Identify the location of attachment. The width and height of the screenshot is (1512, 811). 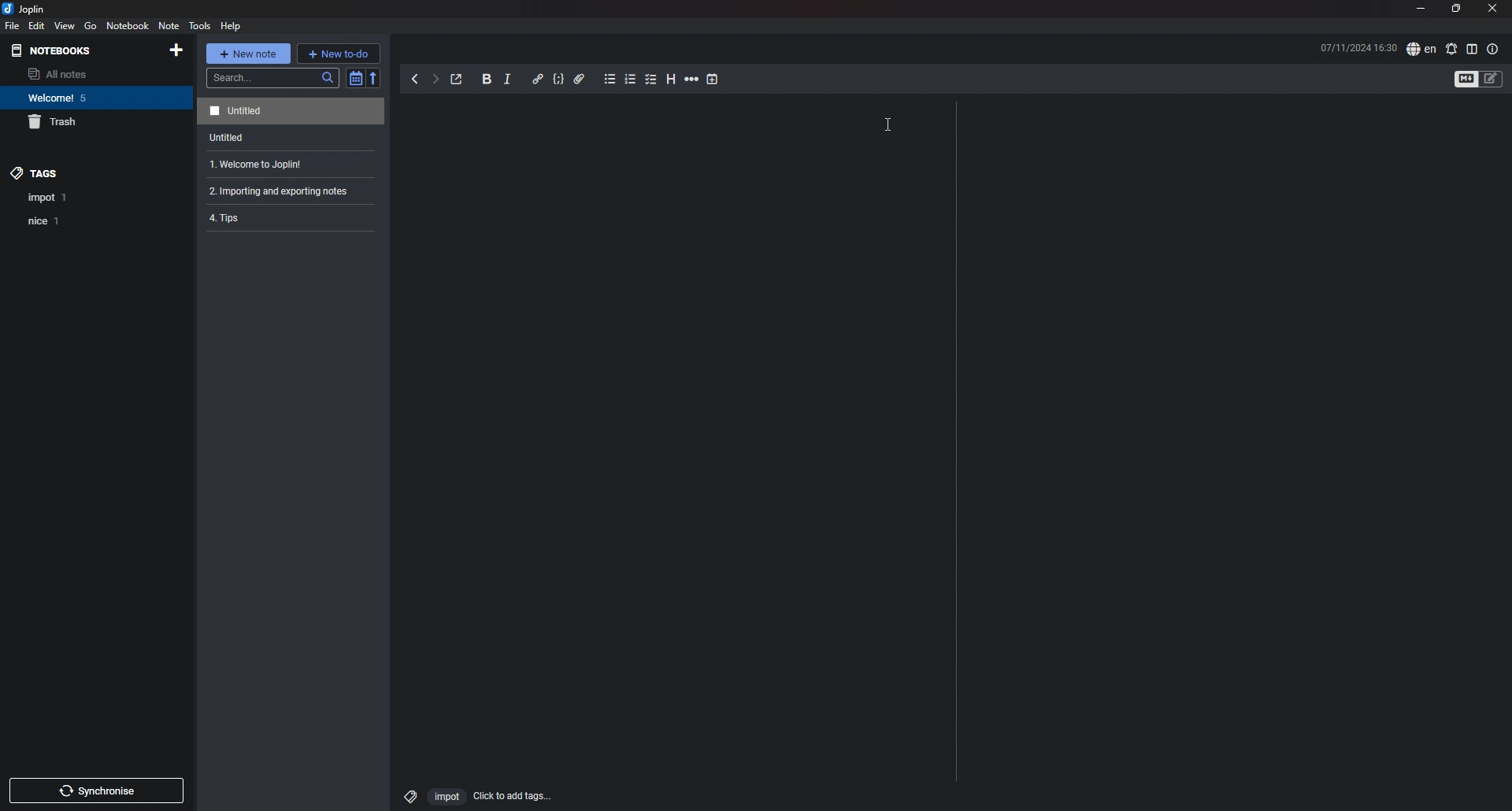
(580, 79).